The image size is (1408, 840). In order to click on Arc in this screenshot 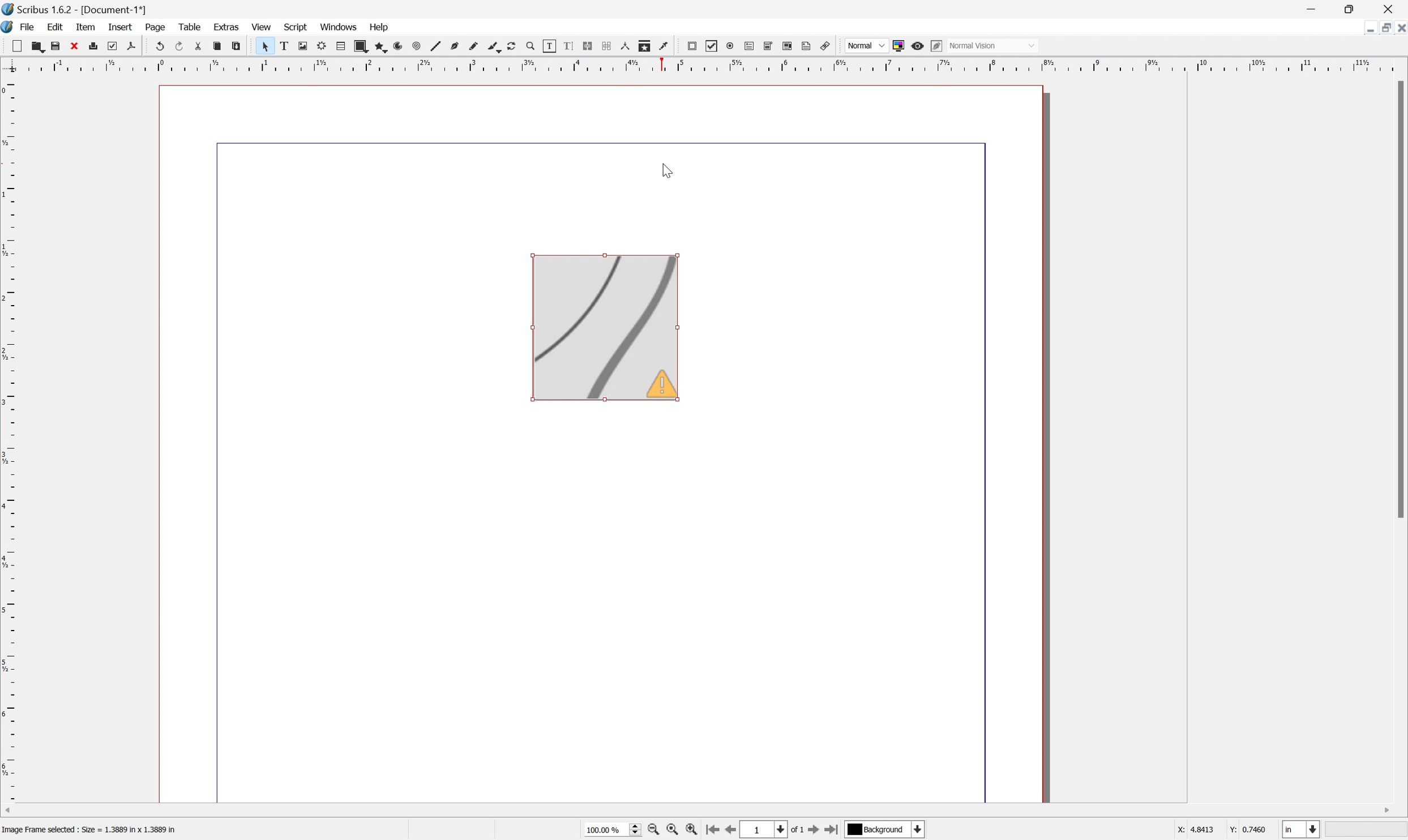, I will do `click(403, 48)`.